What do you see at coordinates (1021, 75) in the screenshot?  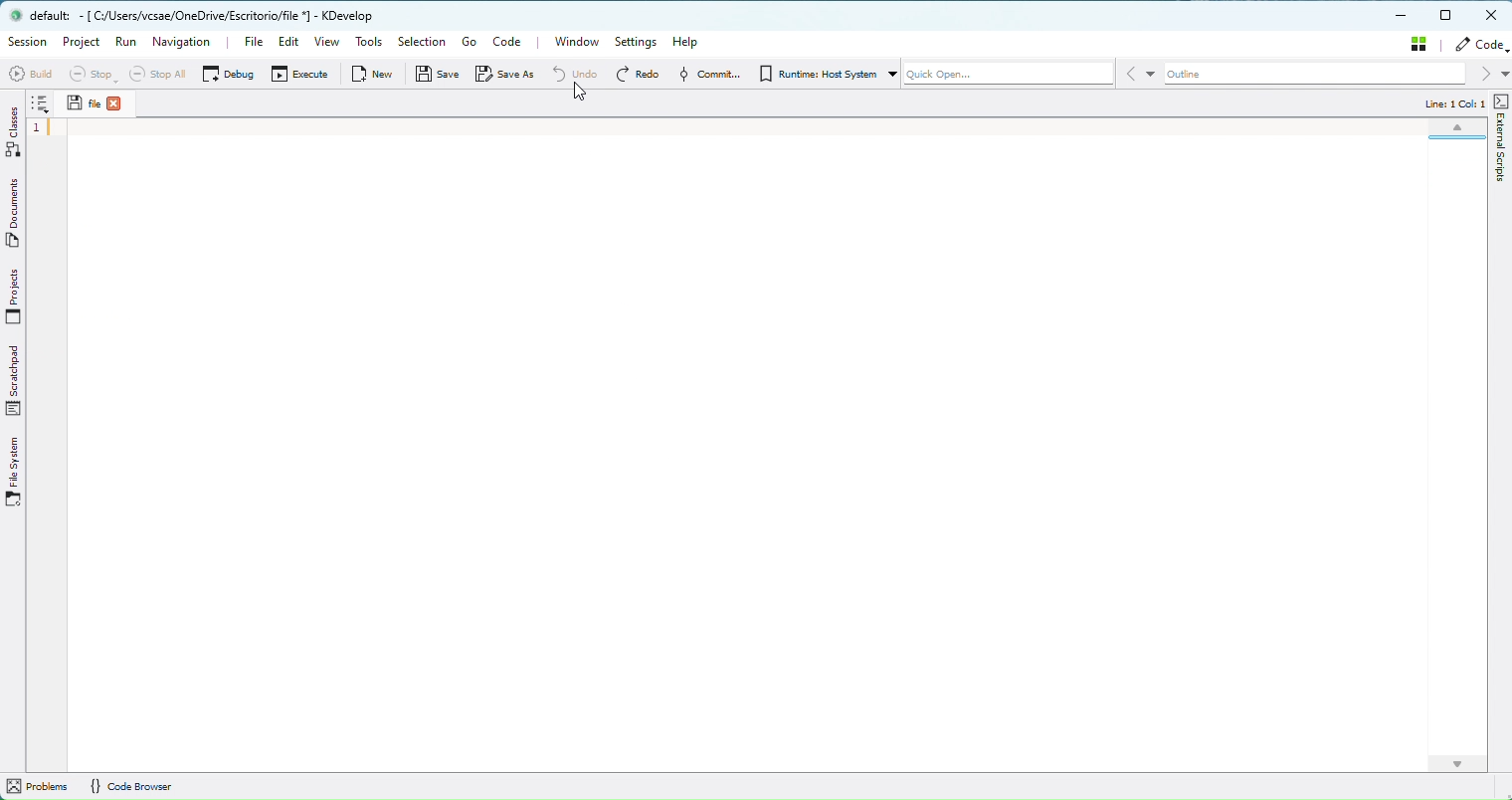 I see `Quick Open` at bounding box center [1021, 75].